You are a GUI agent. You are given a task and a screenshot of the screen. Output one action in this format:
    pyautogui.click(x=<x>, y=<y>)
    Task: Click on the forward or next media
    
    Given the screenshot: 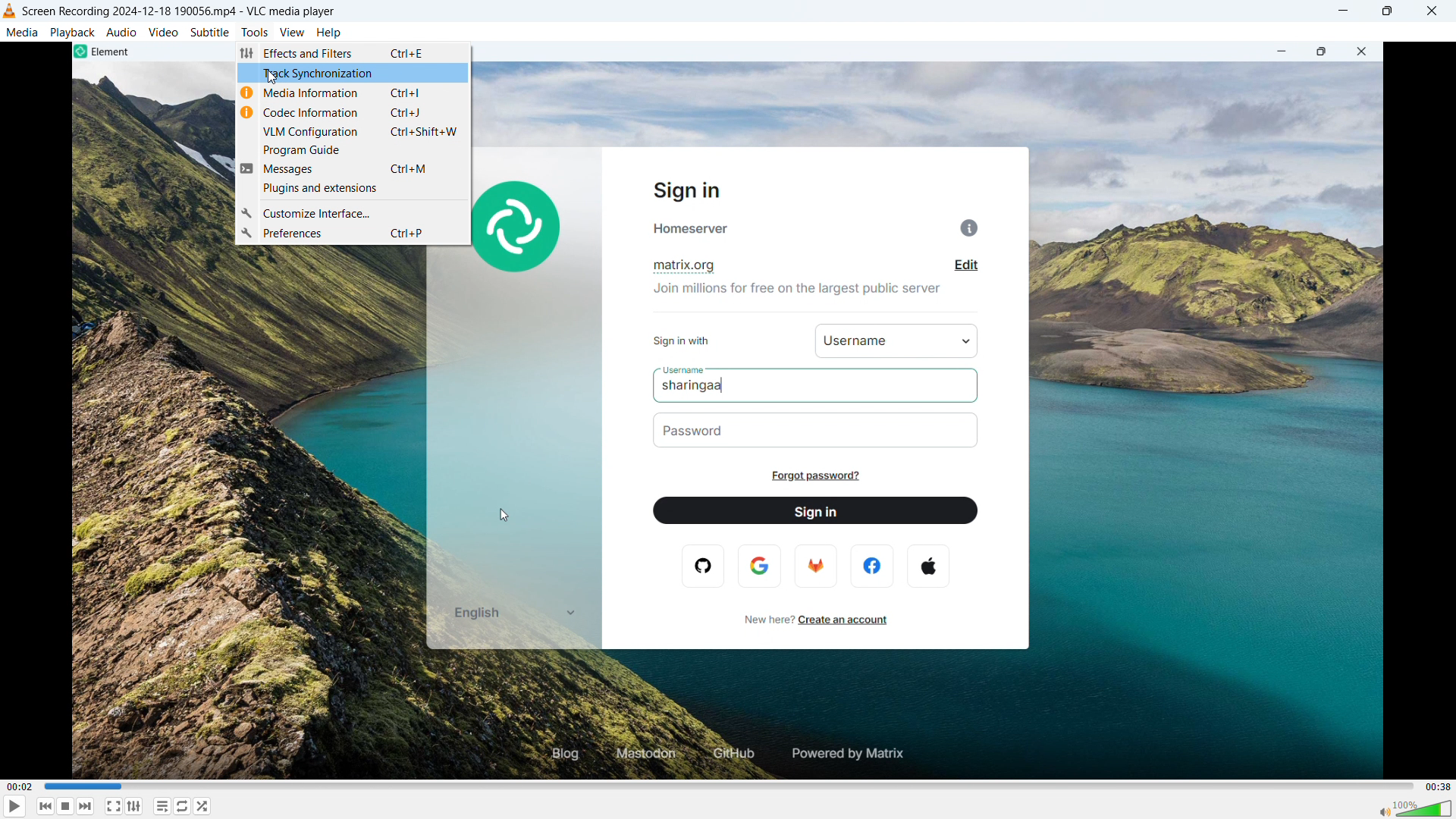 What is the action you would take?
    pyautogui.click(x=86, y=806)
    